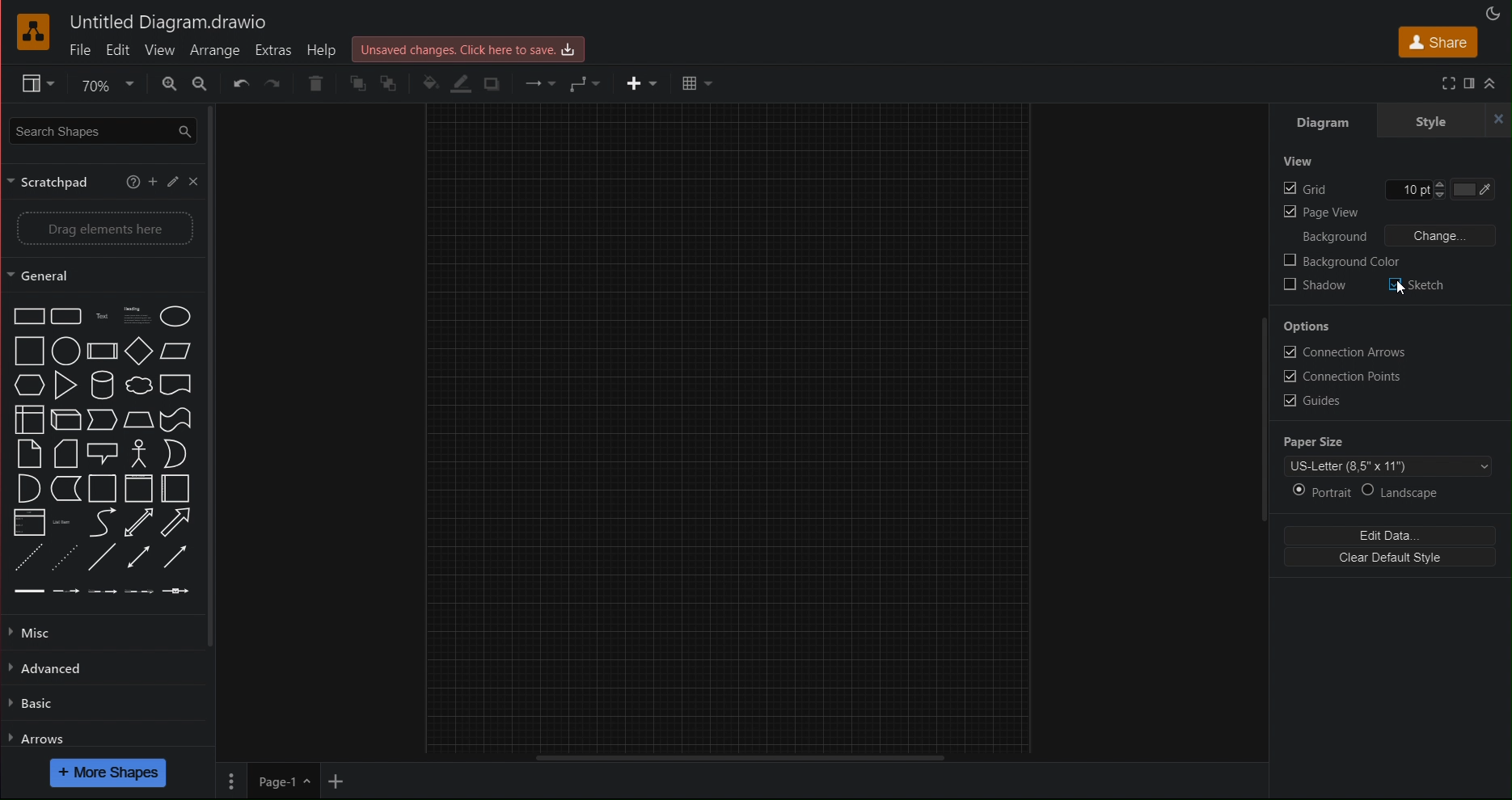  I want to click on bidirectional connector, so click(139, 557).